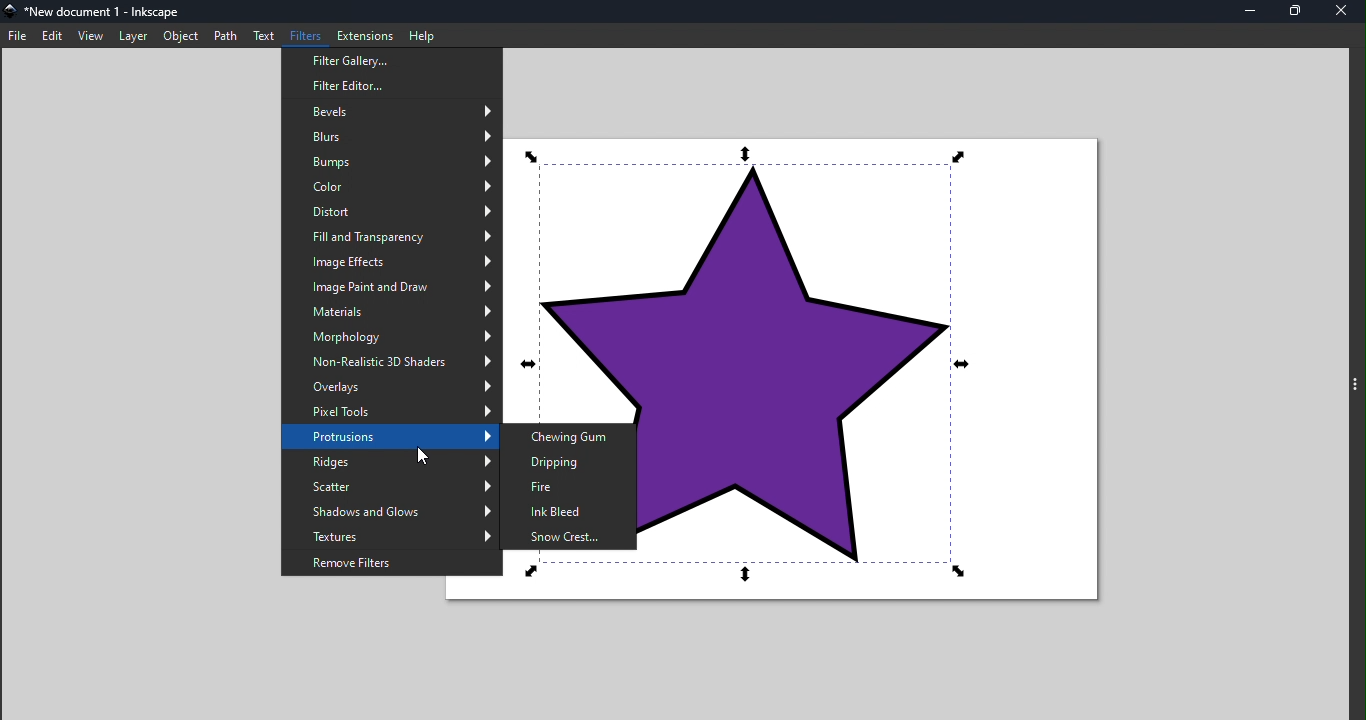 This screenshot has height=720, width=1366. Describe the element at coordinates (180, 37) in the screenshot. I see `Object` at that location.